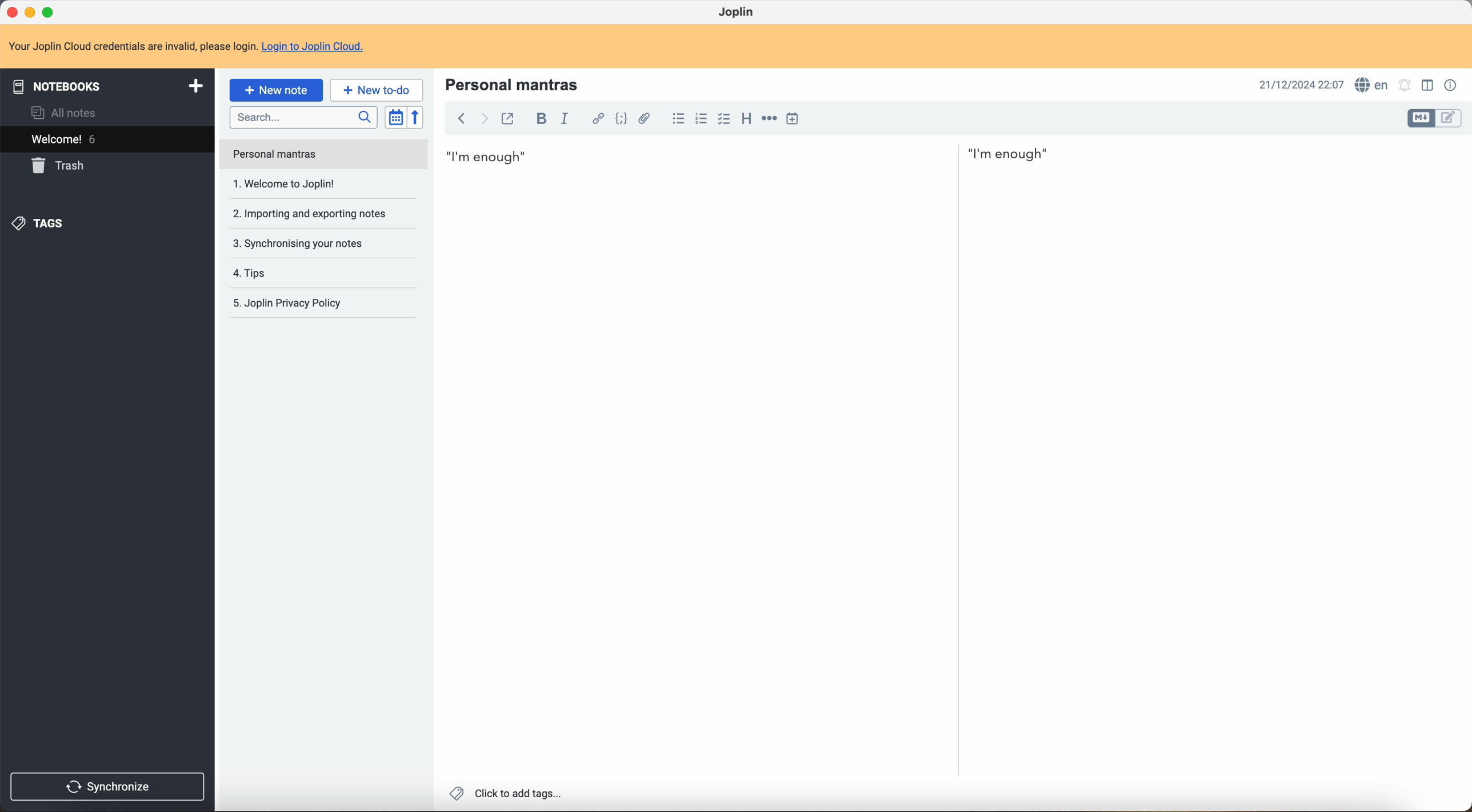 The image size is (1472, 812). What do you see at coordinates (724, 119) in the screenshot?
I see `checkbox` at bounding box center [724, 119].